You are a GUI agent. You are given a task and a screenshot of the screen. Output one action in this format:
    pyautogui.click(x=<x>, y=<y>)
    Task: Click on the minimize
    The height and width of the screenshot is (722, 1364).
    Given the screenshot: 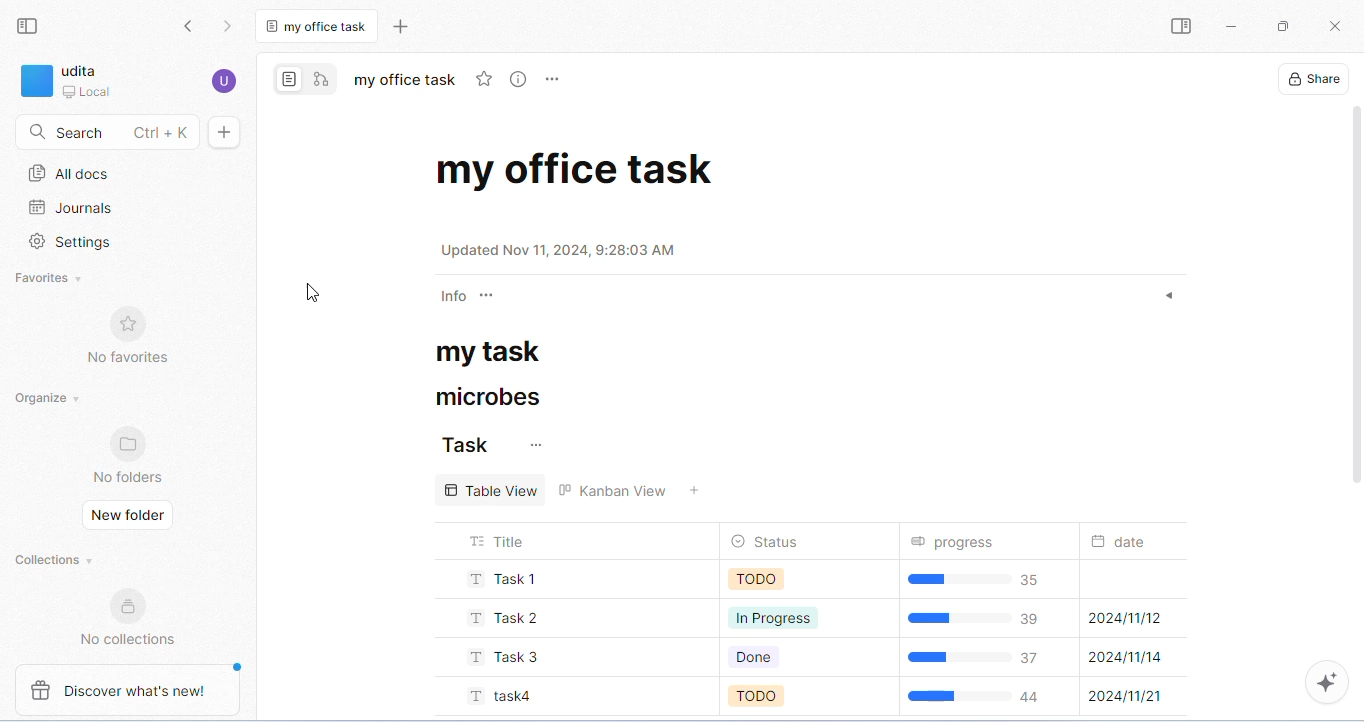 What is the action you would take?
    pyautogui.click(x=1232, y=27)
    